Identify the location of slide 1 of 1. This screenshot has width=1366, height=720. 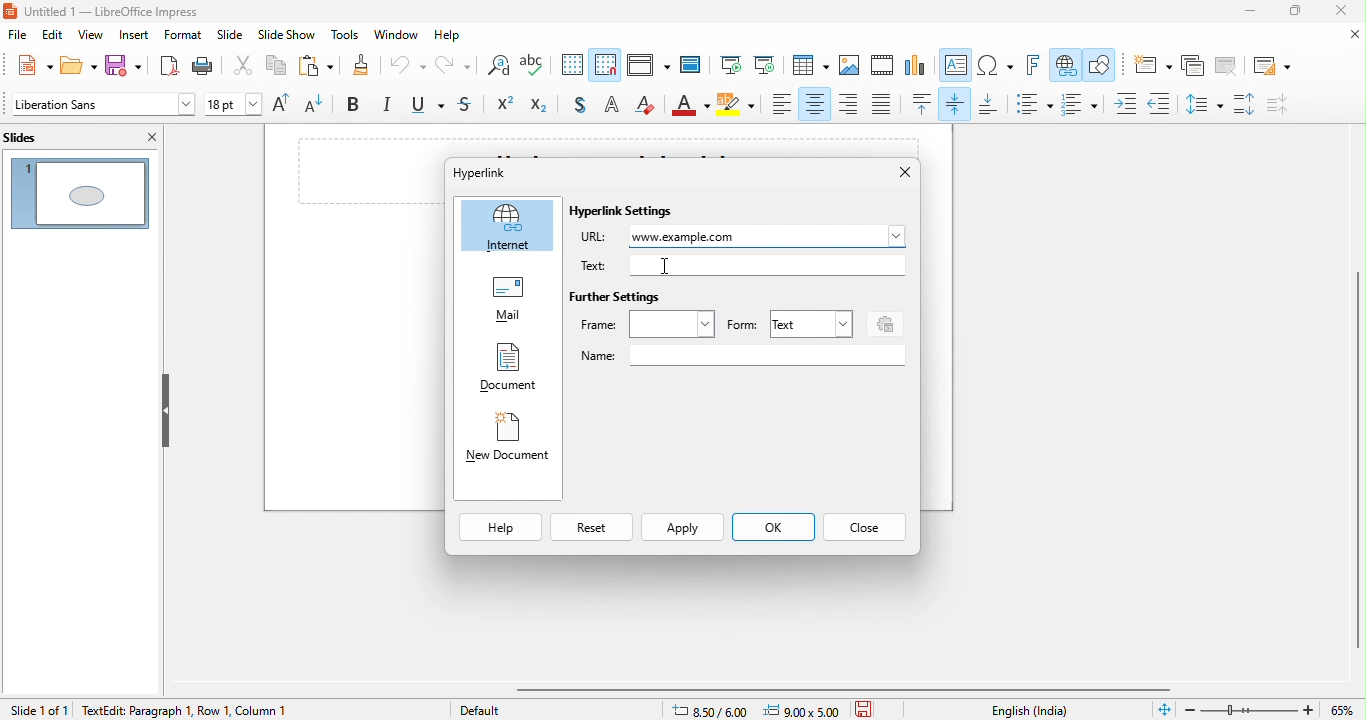
(38, 709).